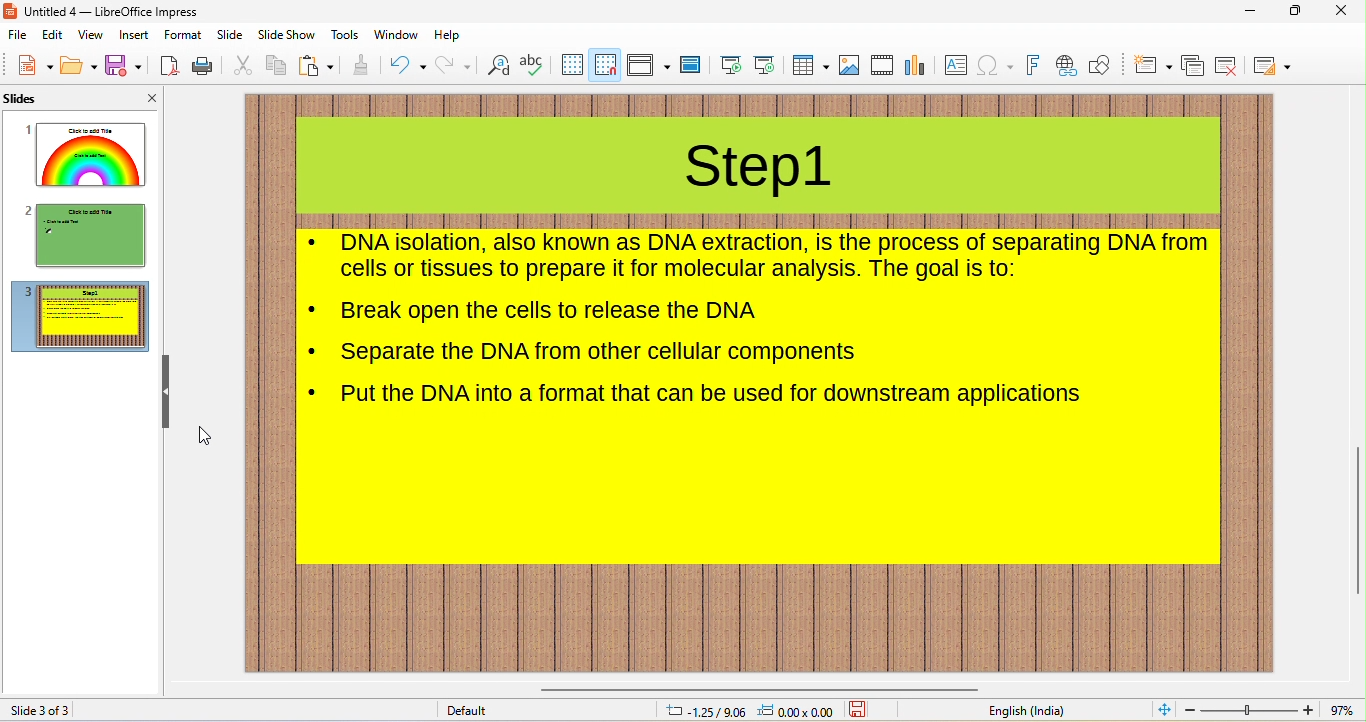 Image resolution: width=1366 pixels, height=722 pixels. What do you see at coordinates (273, 64) in the screenshot?
I see `copy` at bounding box center [273, 64].